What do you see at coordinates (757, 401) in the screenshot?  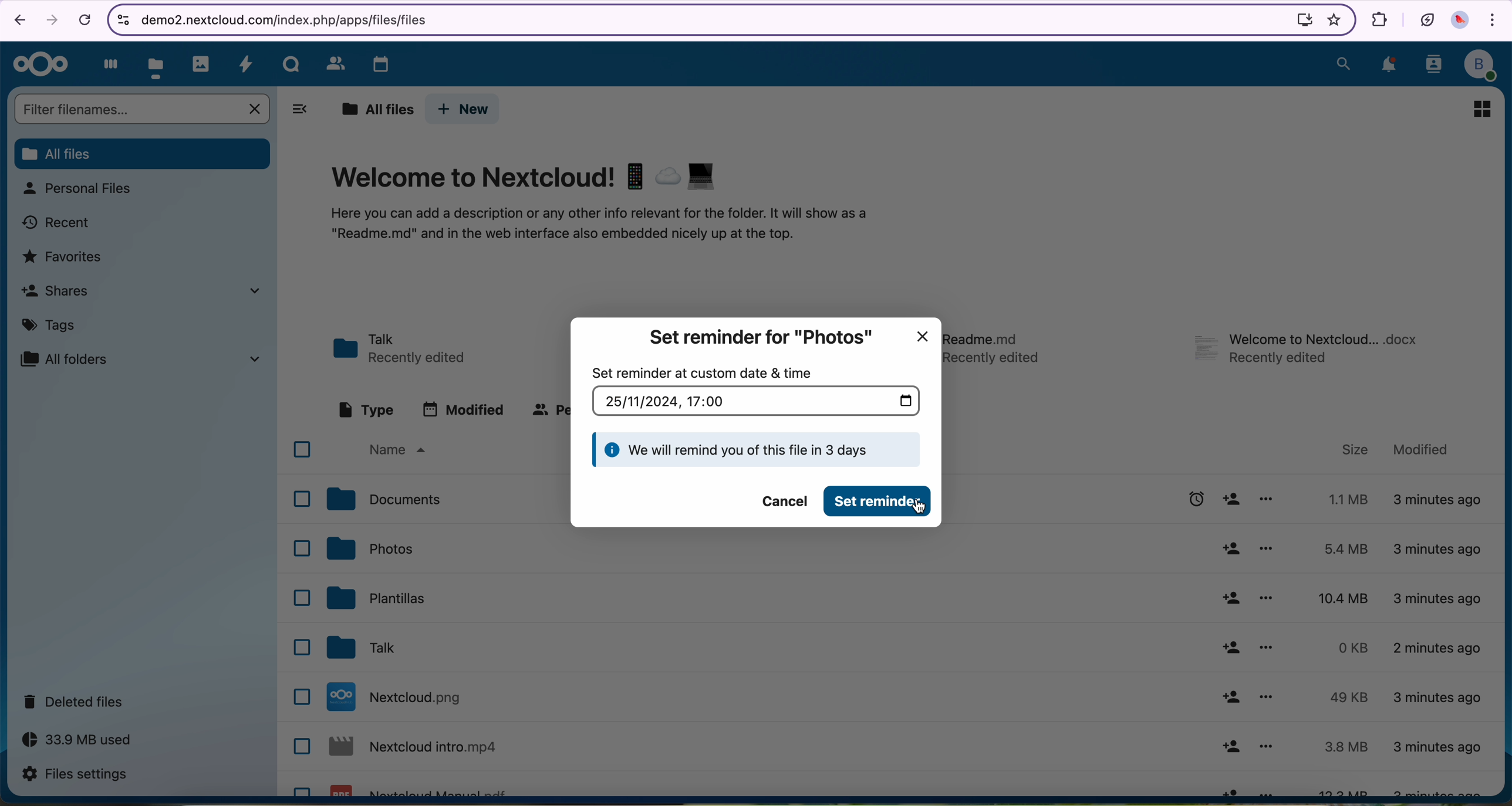 I see `date and hour new` at bounding box center [757, 401].